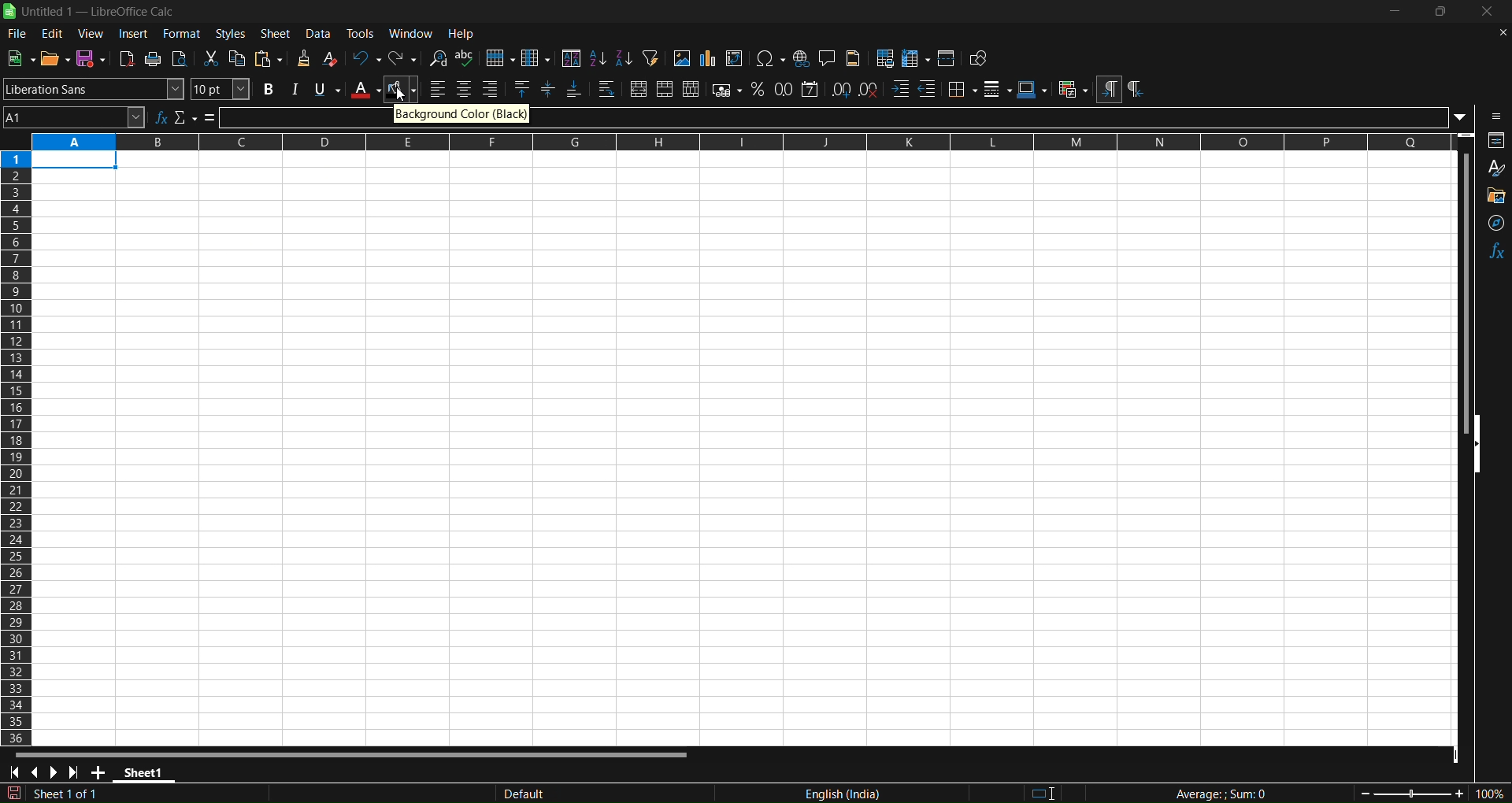 Image resolution: width=1512 pixels, height=803 pixels. I want to click on split window, so click(947, 59).